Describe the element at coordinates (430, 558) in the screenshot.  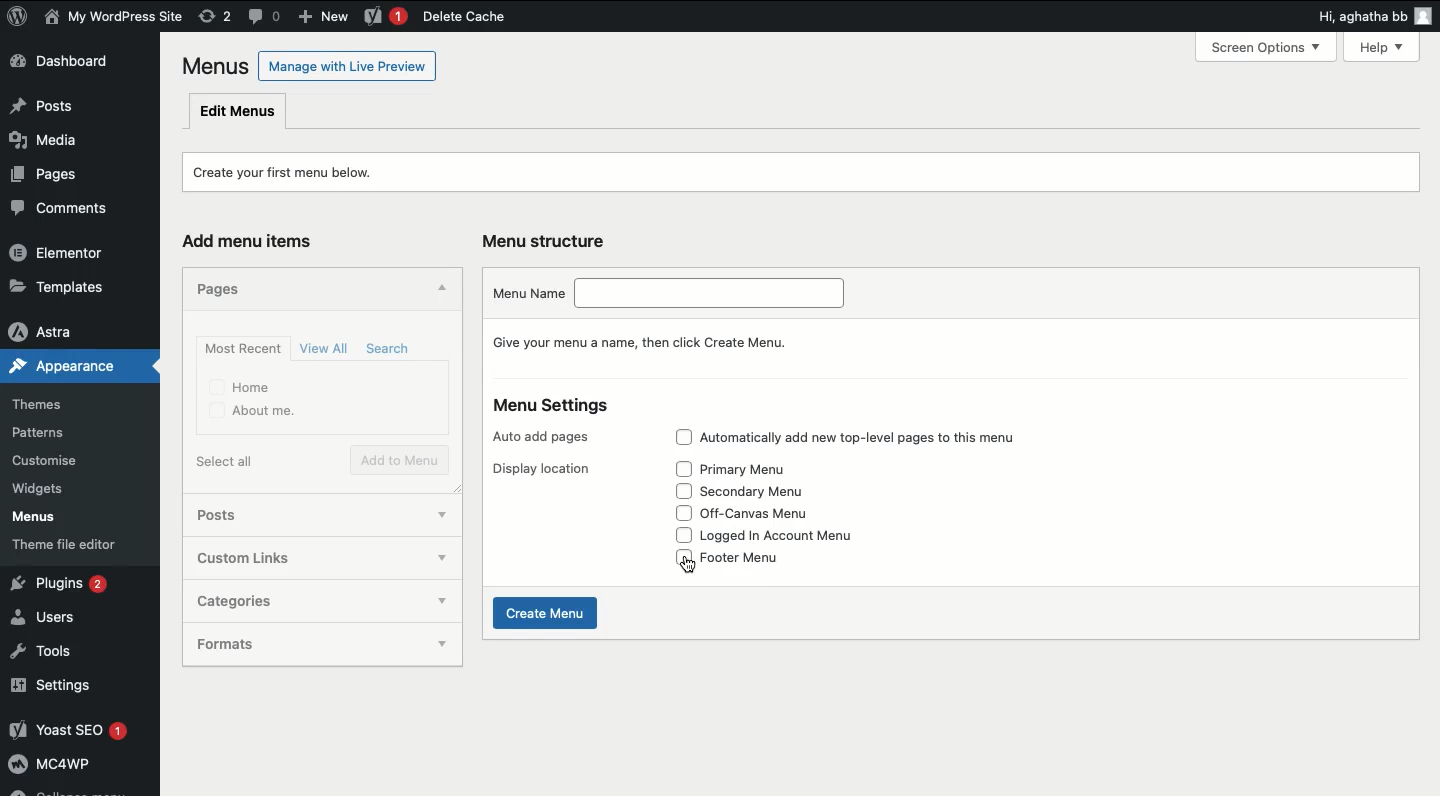
I see `show` at that location.